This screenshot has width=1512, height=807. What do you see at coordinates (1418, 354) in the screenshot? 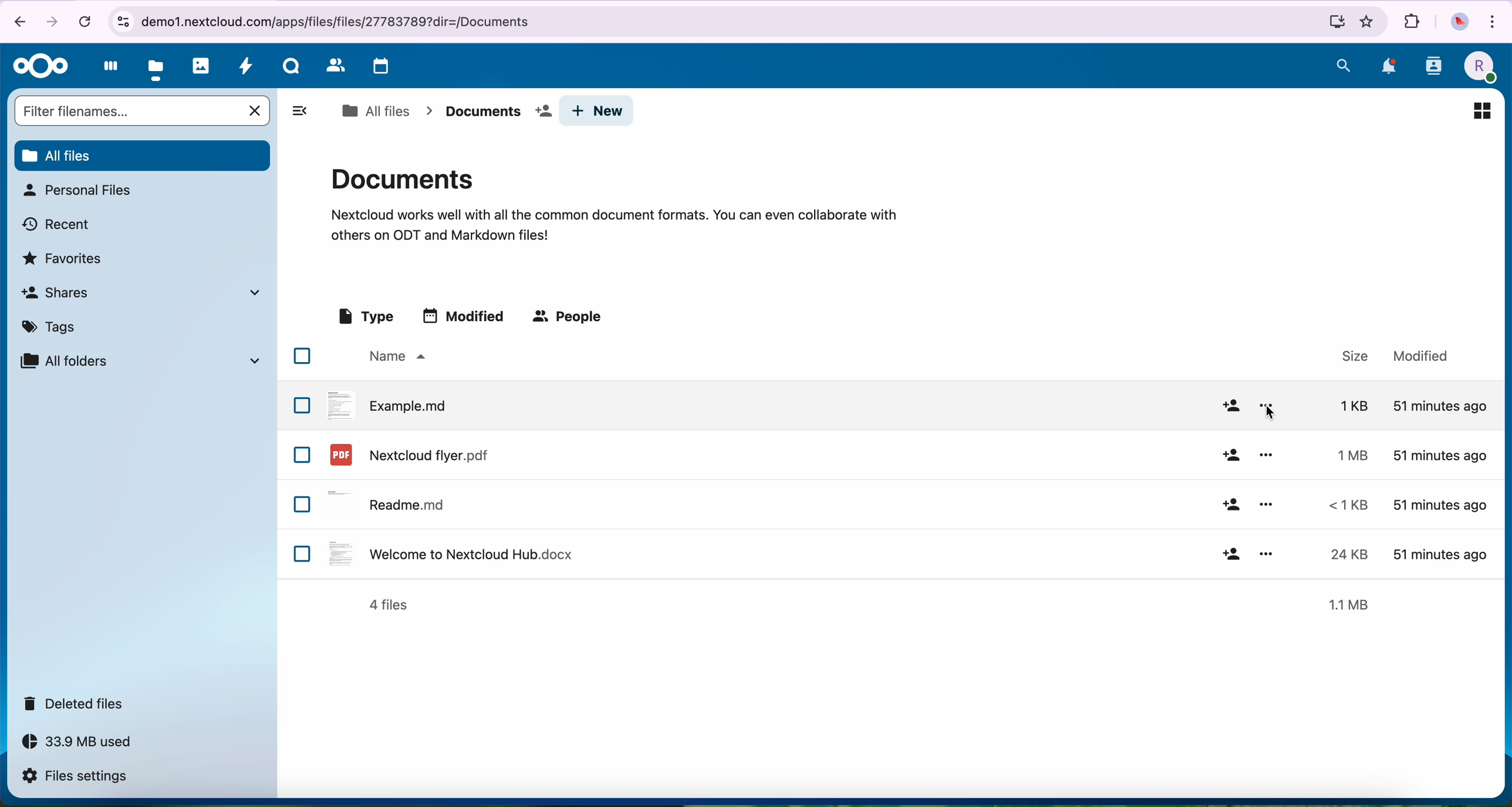
I see `modified` at bounding box center [1418, 354].